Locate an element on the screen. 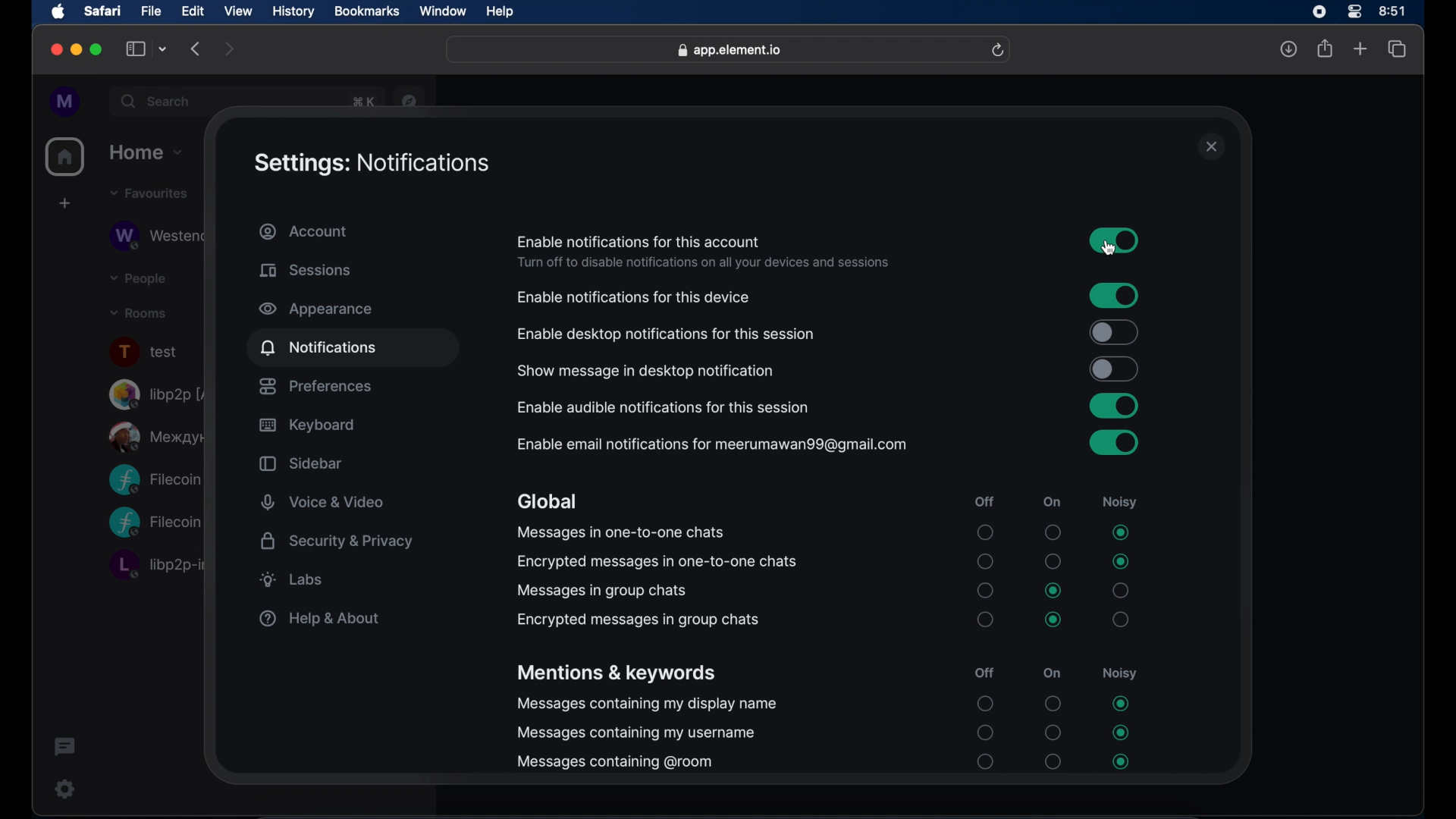 This screenshot has width=1456, height=819. radio button is located at coordinates (1053, 733).